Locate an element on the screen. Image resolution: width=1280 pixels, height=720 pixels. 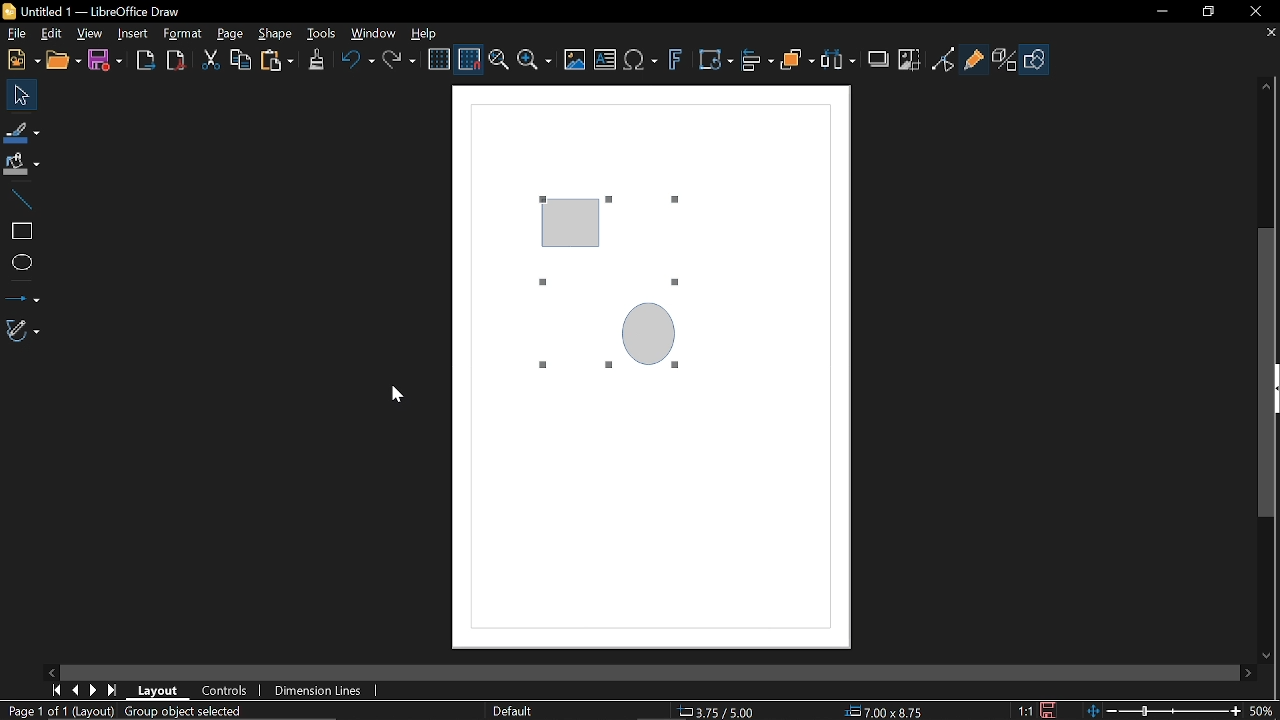
Format is located at coordinates (183, 34).